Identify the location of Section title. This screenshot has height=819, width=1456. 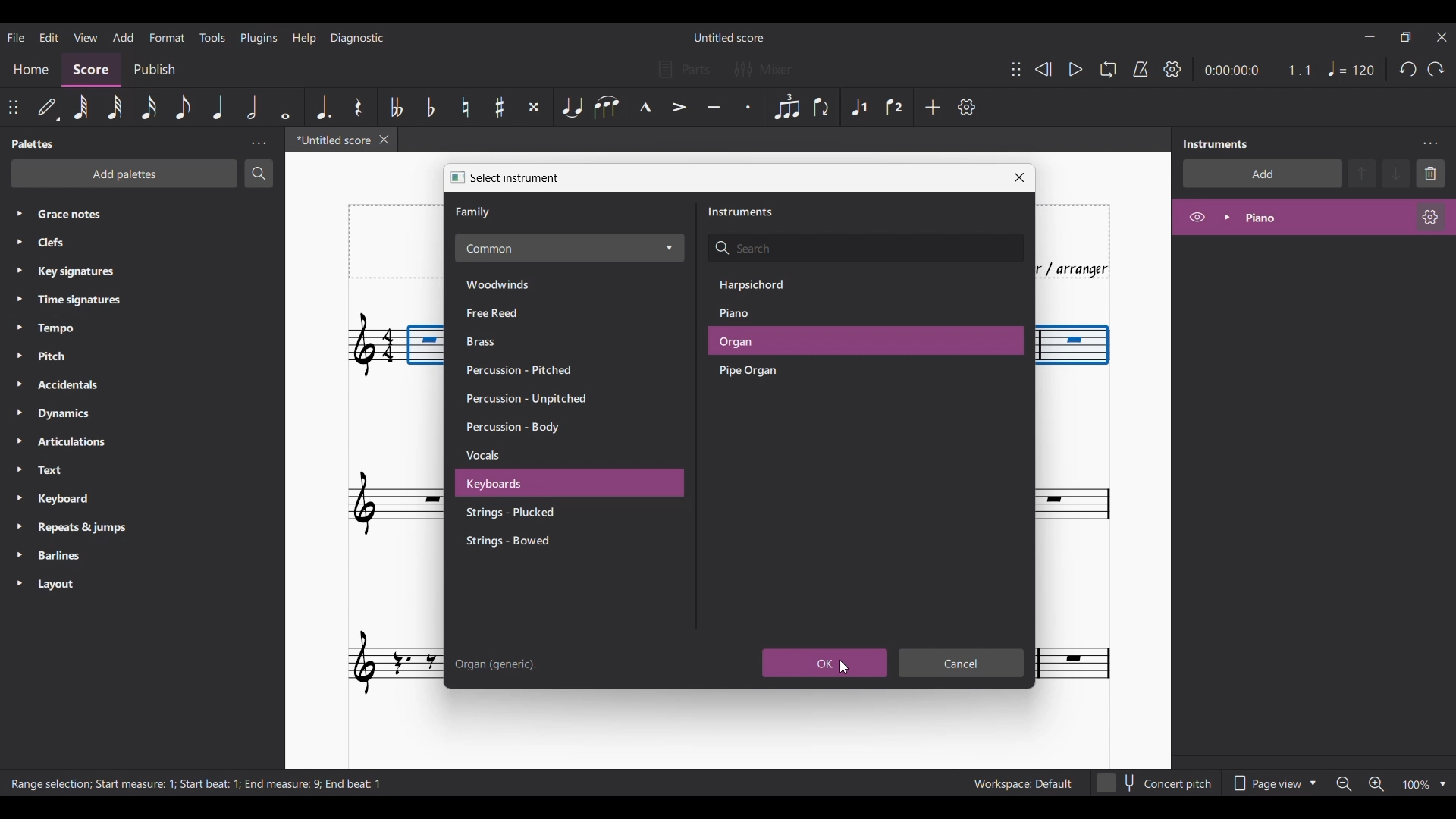
(475, 212).